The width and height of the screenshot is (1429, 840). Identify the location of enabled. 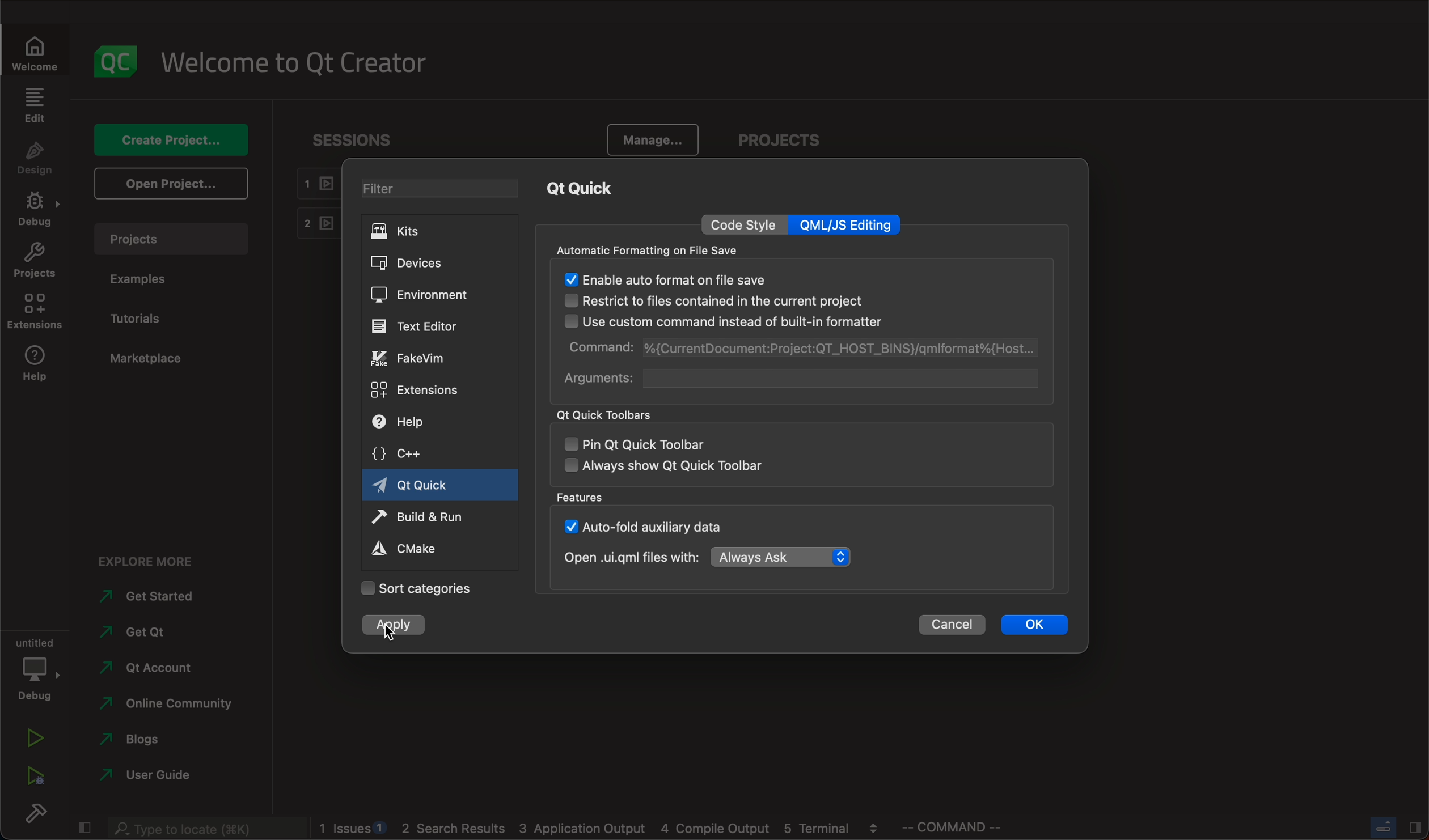
(672, 281).